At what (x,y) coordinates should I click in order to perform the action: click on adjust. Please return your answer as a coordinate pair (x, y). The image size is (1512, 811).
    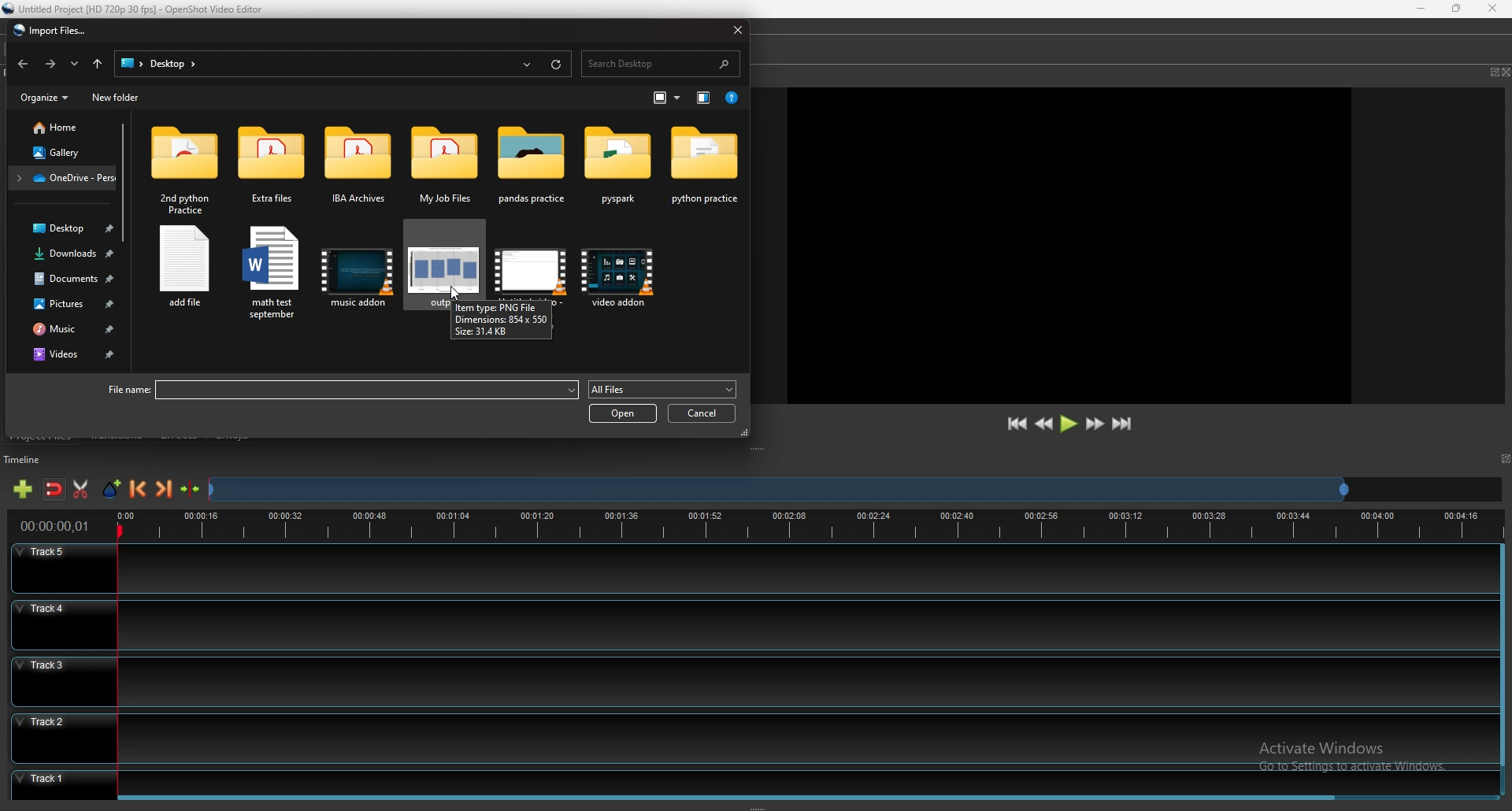
    Looking at the image, I should click on (761, 450).